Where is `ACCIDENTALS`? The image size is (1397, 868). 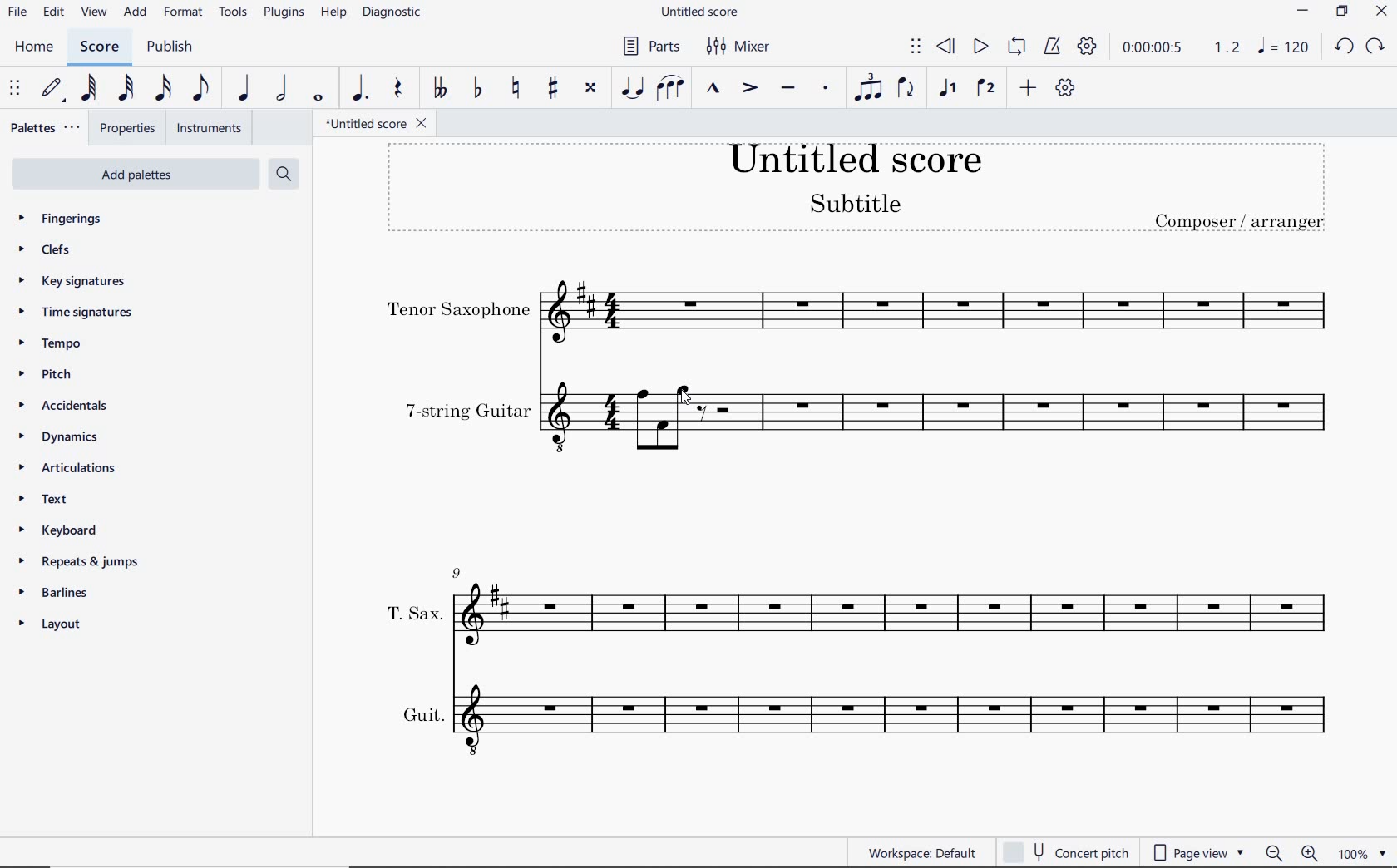 ACCIDENTALS is located at coordinates (72, 407).